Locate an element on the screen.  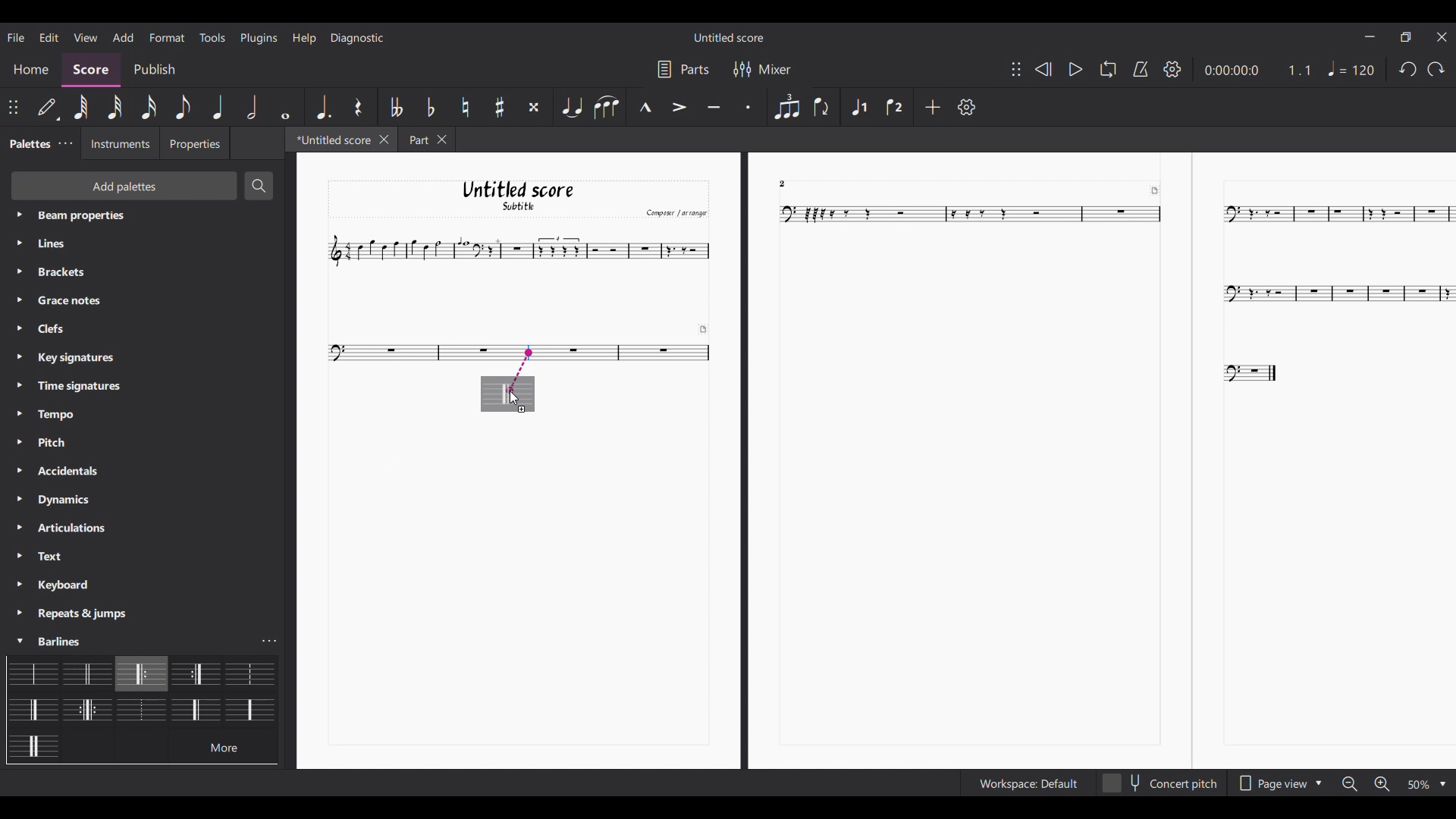
Voice 2 is located at coordinates (894, 107).